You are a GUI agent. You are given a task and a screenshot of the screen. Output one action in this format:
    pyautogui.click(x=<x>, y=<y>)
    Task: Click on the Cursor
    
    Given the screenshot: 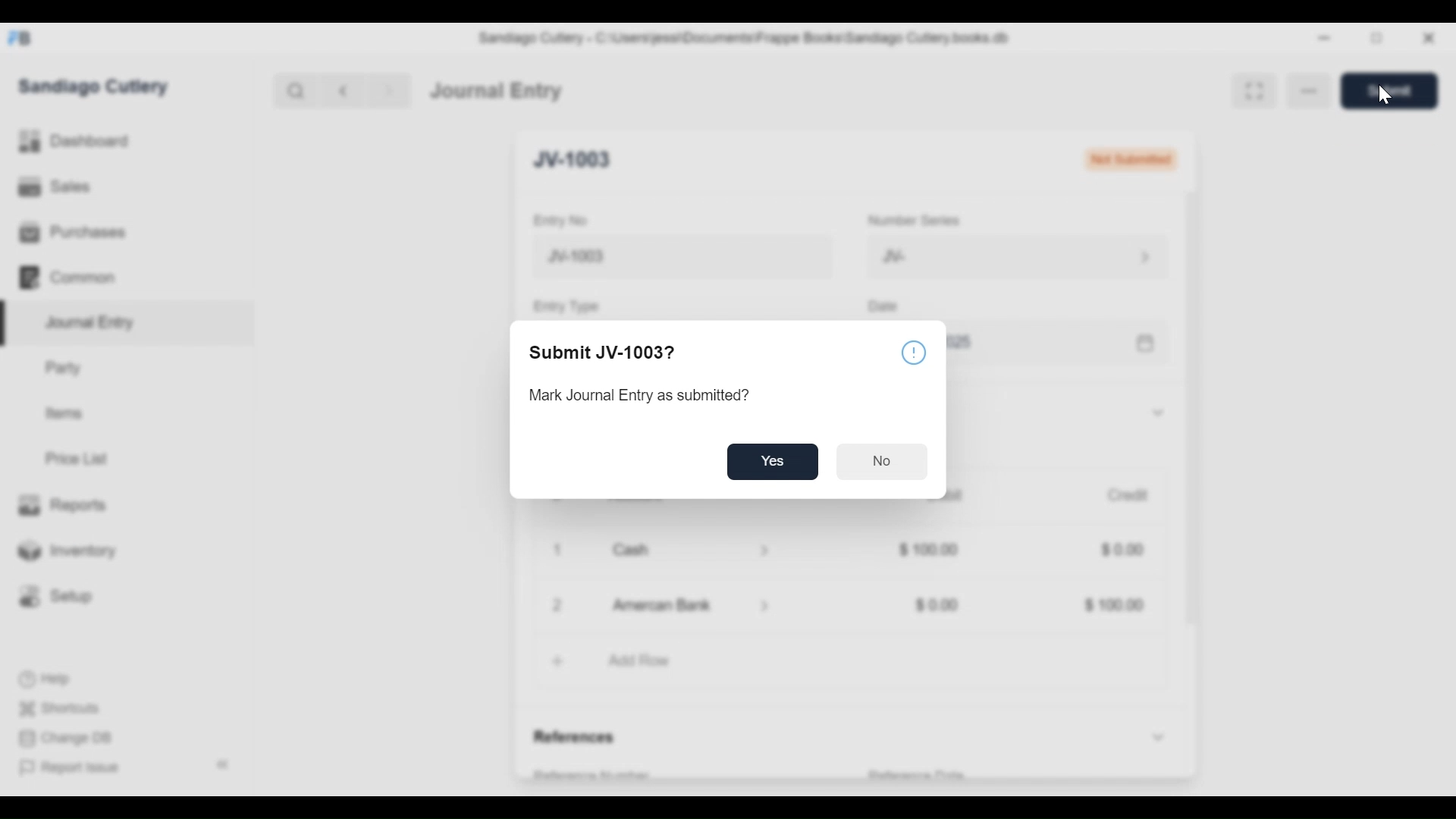 What is the action you would take?
    pyautogui.click(x=1381, y=99)
    